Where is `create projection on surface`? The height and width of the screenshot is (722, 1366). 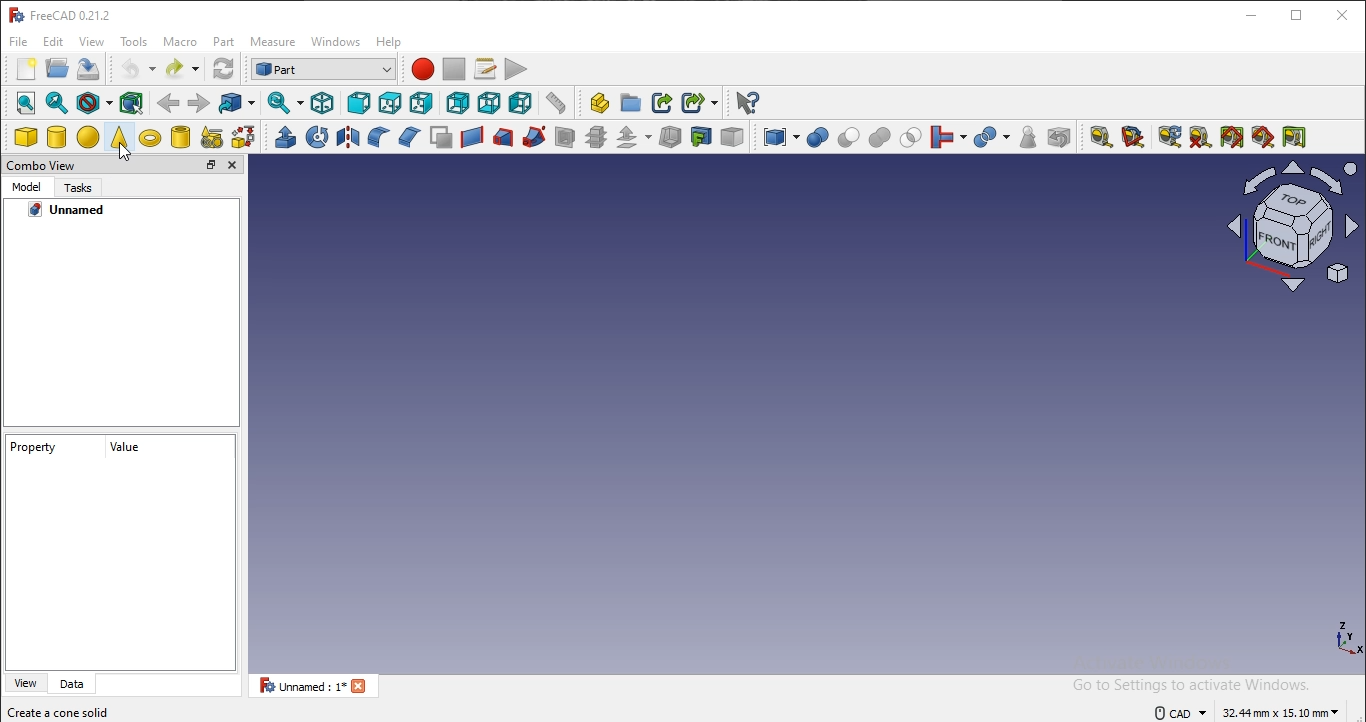
create projection on surface is located at coordinates (701, 136).